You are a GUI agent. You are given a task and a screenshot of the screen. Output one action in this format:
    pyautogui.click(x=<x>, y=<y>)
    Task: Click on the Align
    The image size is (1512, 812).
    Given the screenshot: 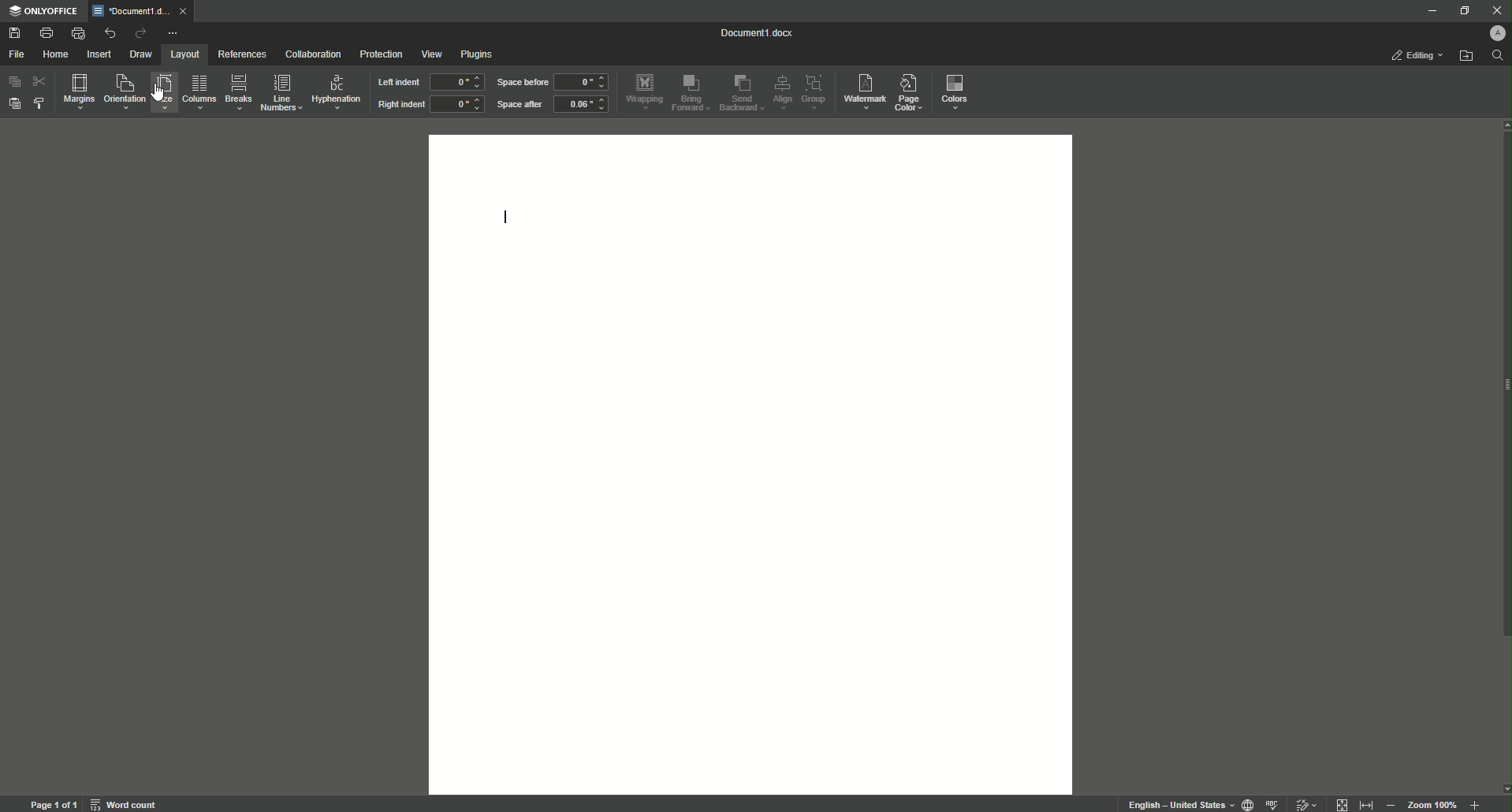 What is the action you would take?
    pyautogui.click(x=783, y=91)
    